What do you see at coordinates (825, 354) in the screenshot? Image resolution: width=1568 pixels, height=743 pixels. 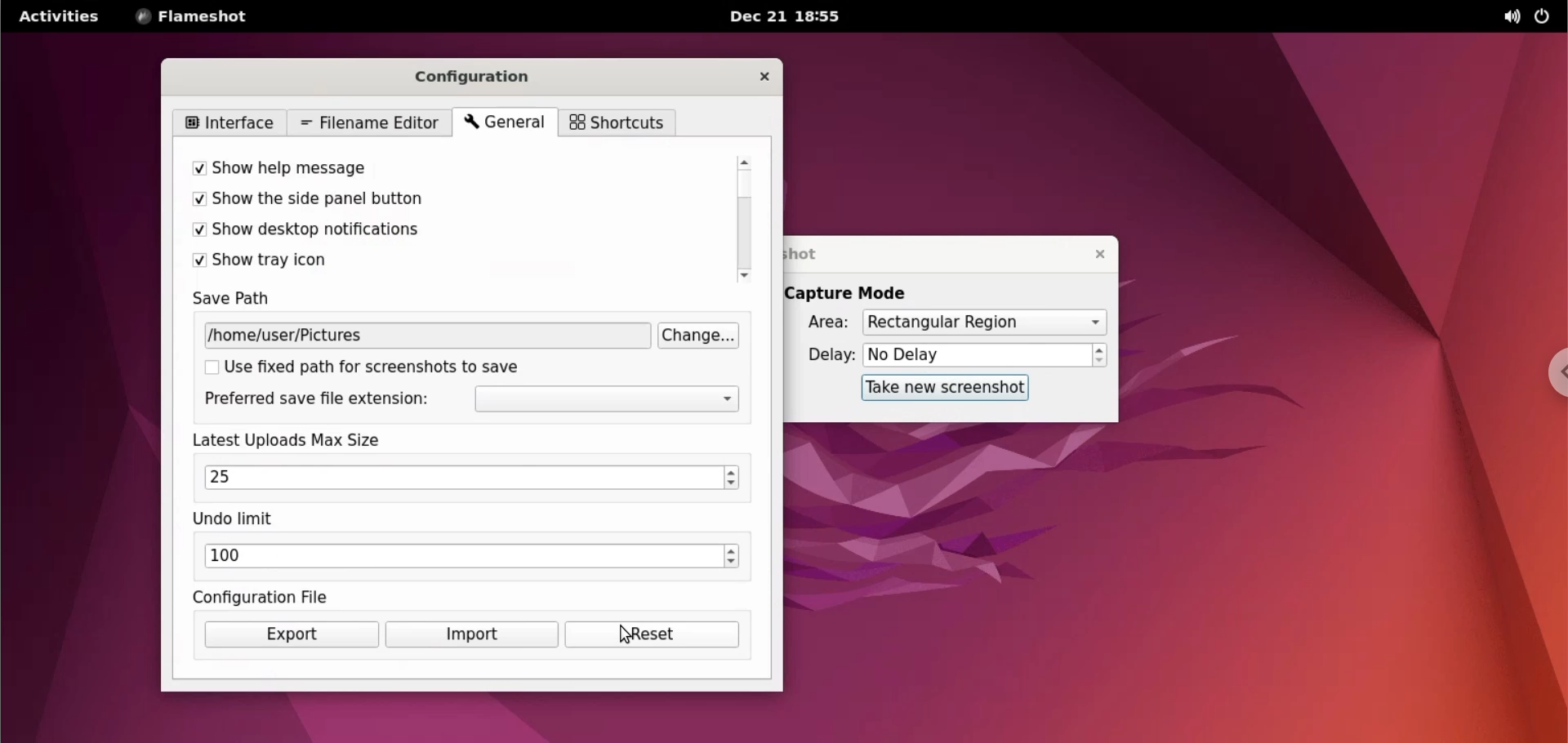 I see `delay` at bounding box center [825, 354].